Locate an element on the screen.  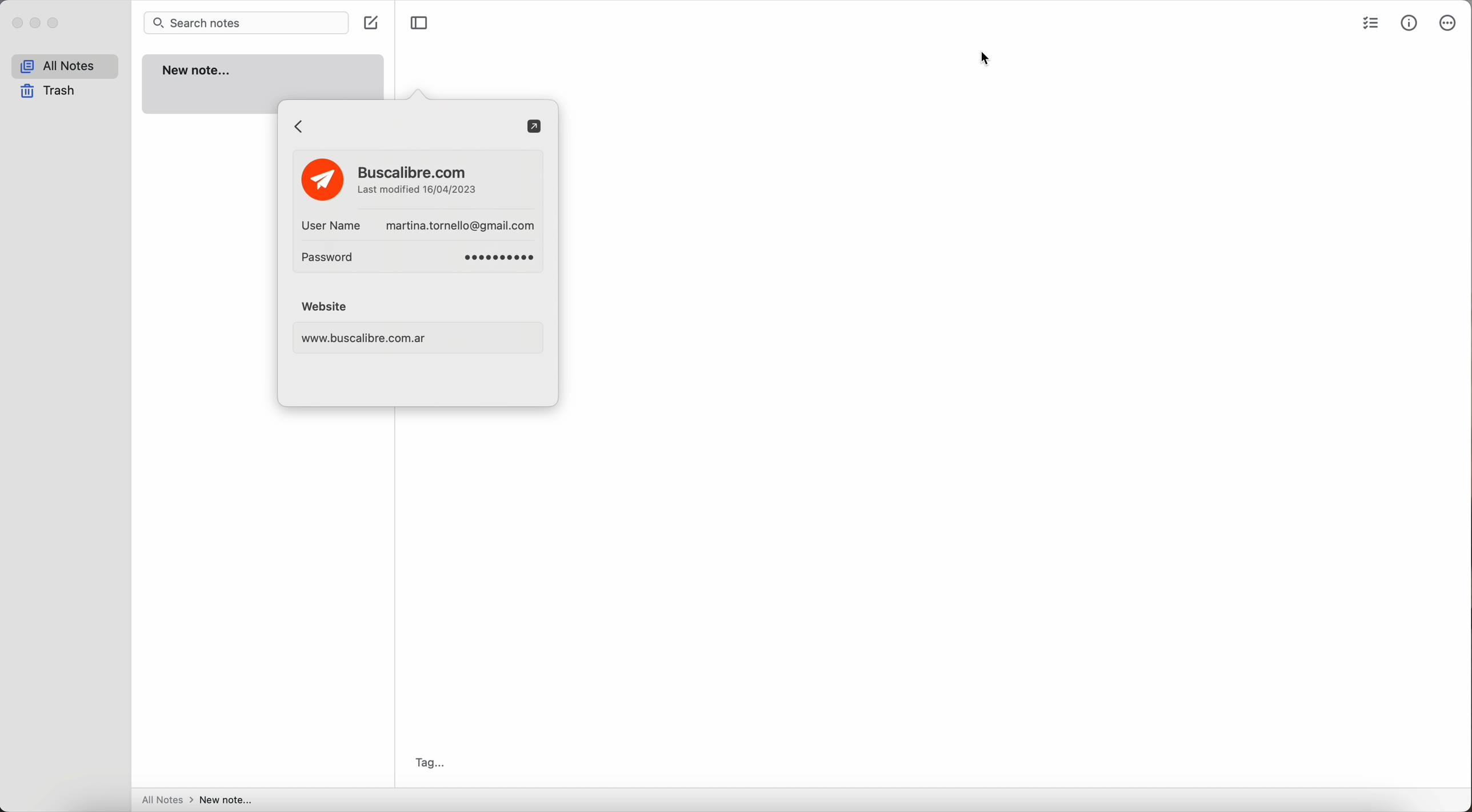
buscalibre logo is located at coordinates (320, 178).